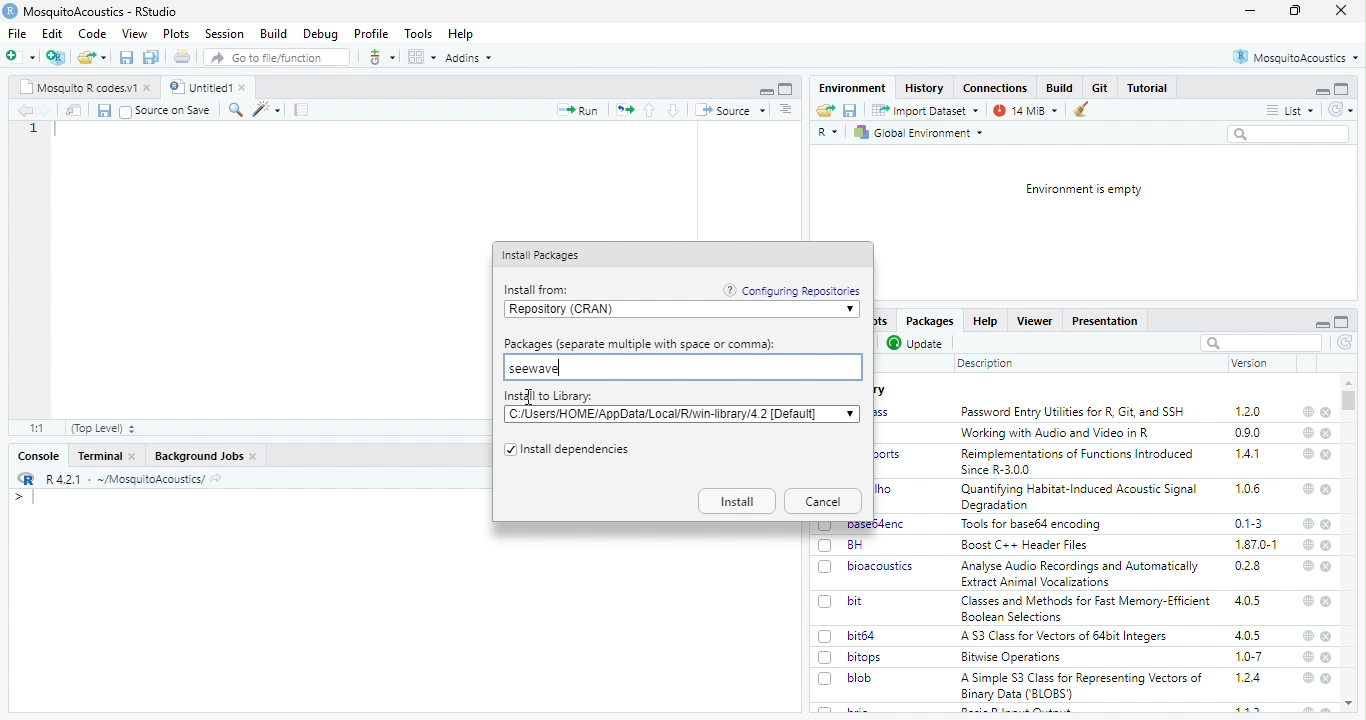 Image resolution: width=1366 pixels, height=720 pixels. What do you see at coordinates (1328, 546) in the screenshot?
I see `close` at bounding box center [1328, 546].